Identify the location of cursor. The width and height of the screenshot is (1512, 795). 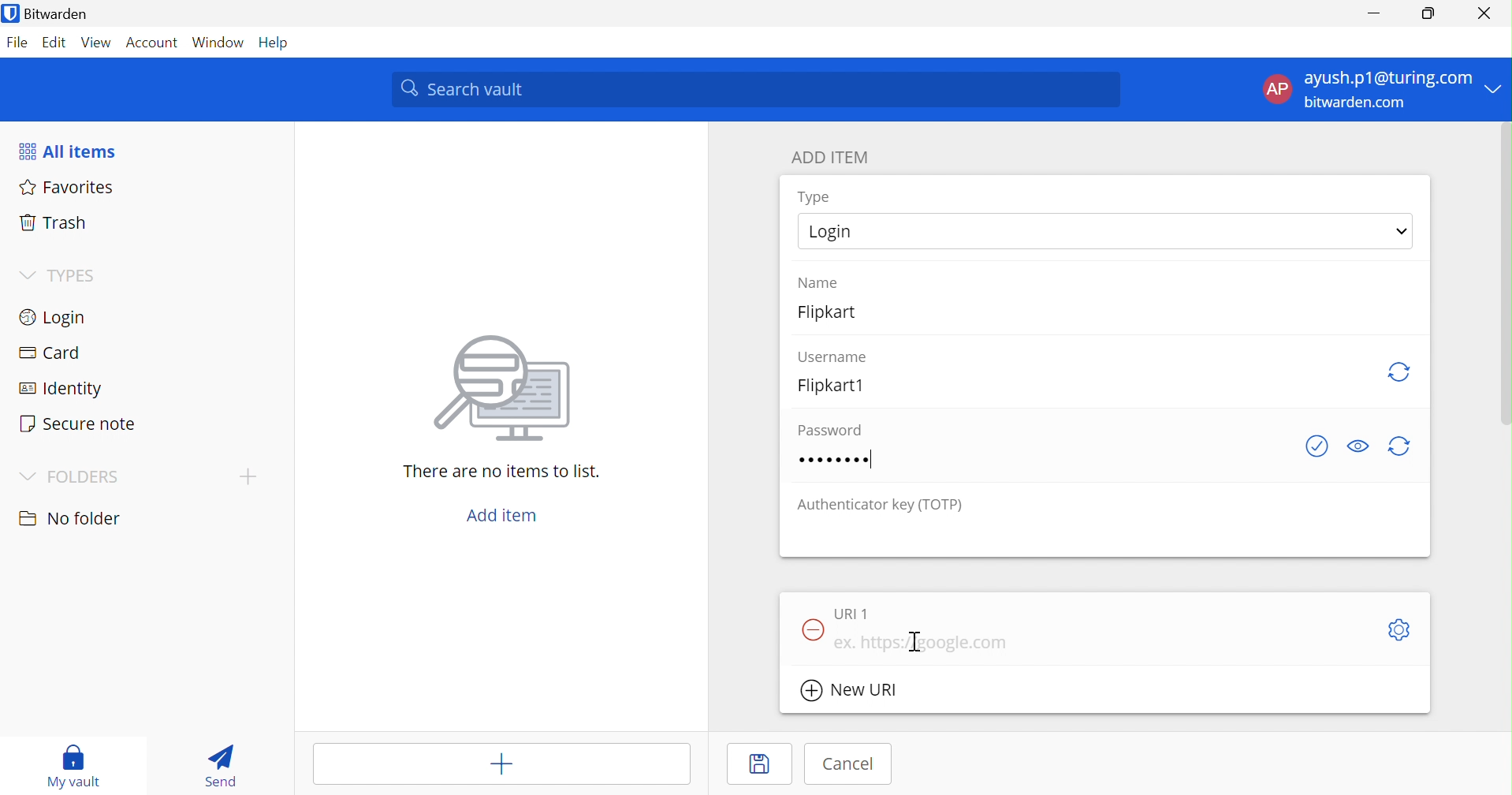
(918, 644).